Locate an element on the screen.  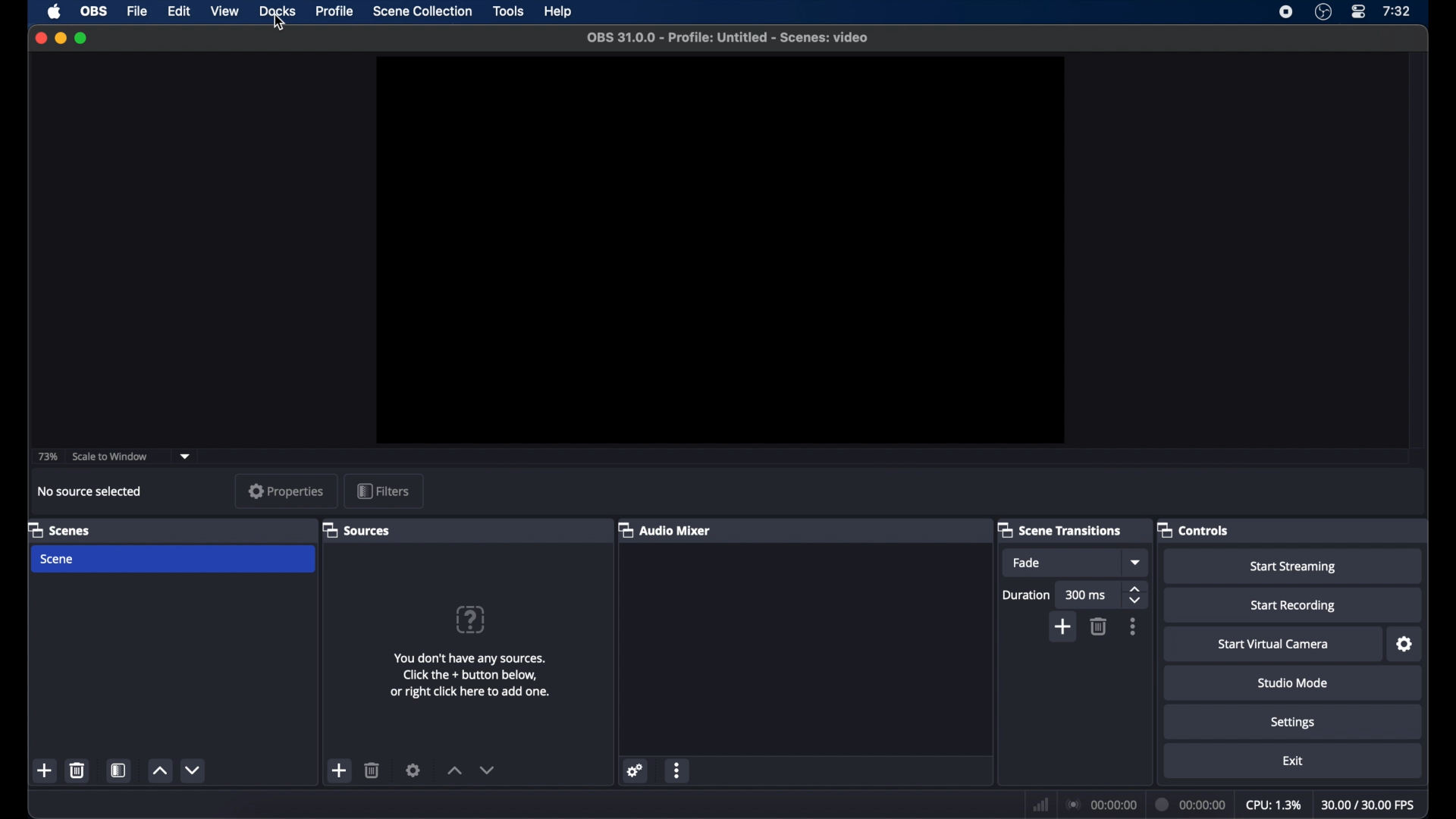
settings is located at coordinates (1404, 645).